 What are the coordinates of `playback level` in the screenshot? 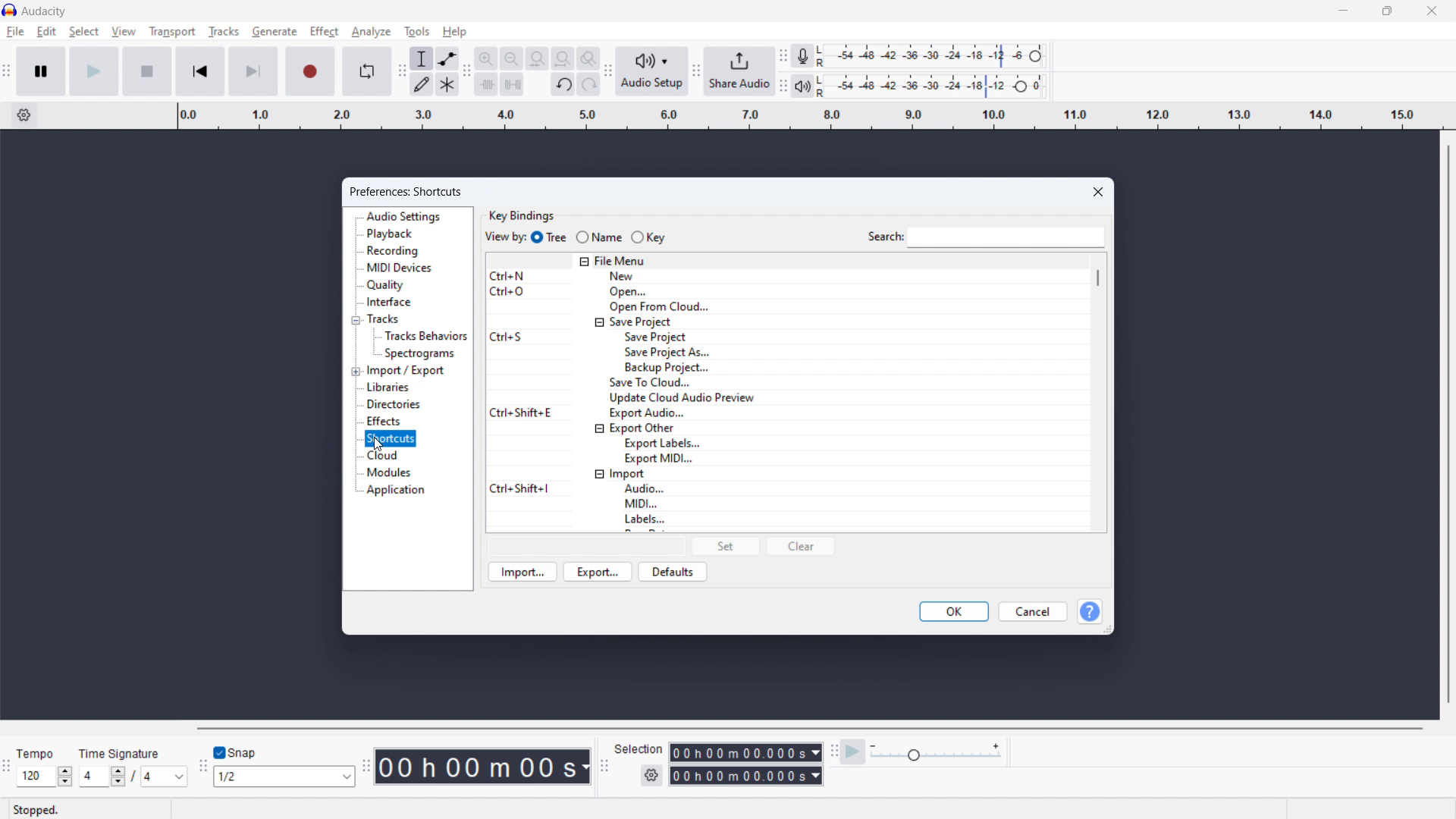 It's located at (914, 86).